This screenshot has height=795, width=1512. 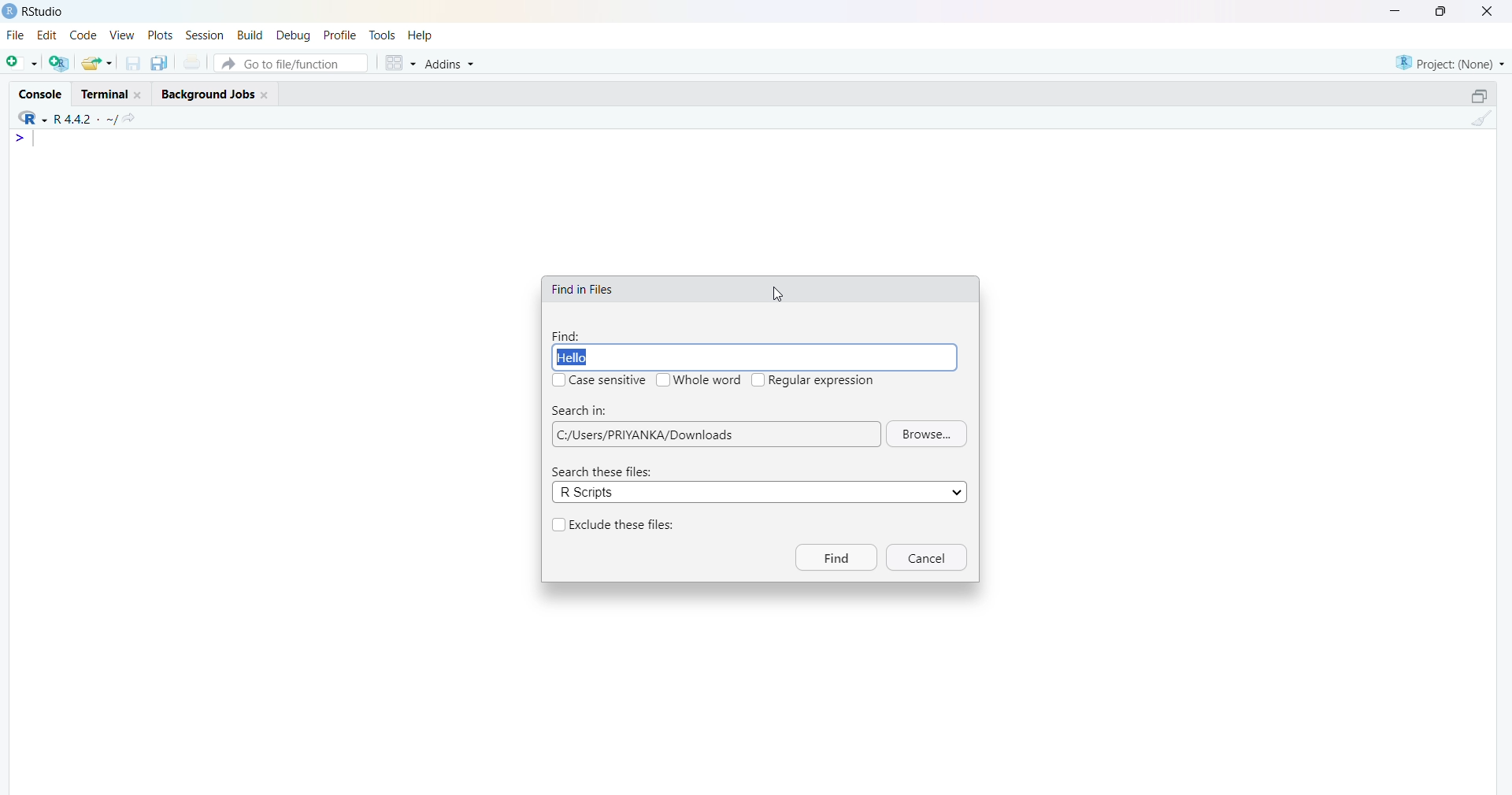 What do you see at coordinates (758, 380) in the screenshot?
I see `checkbox` at bounding box center [758, 380].